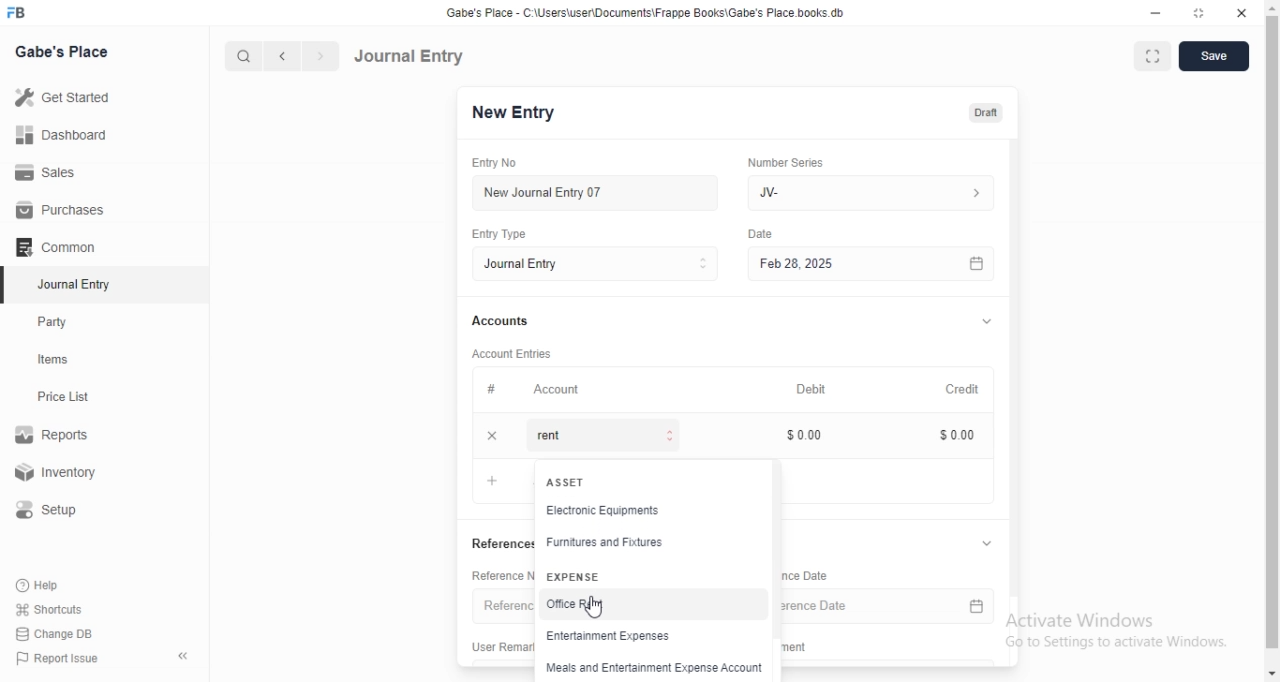 The width and height of the screenshot is (1280, 682). I want to click on v, so click(994, 318).